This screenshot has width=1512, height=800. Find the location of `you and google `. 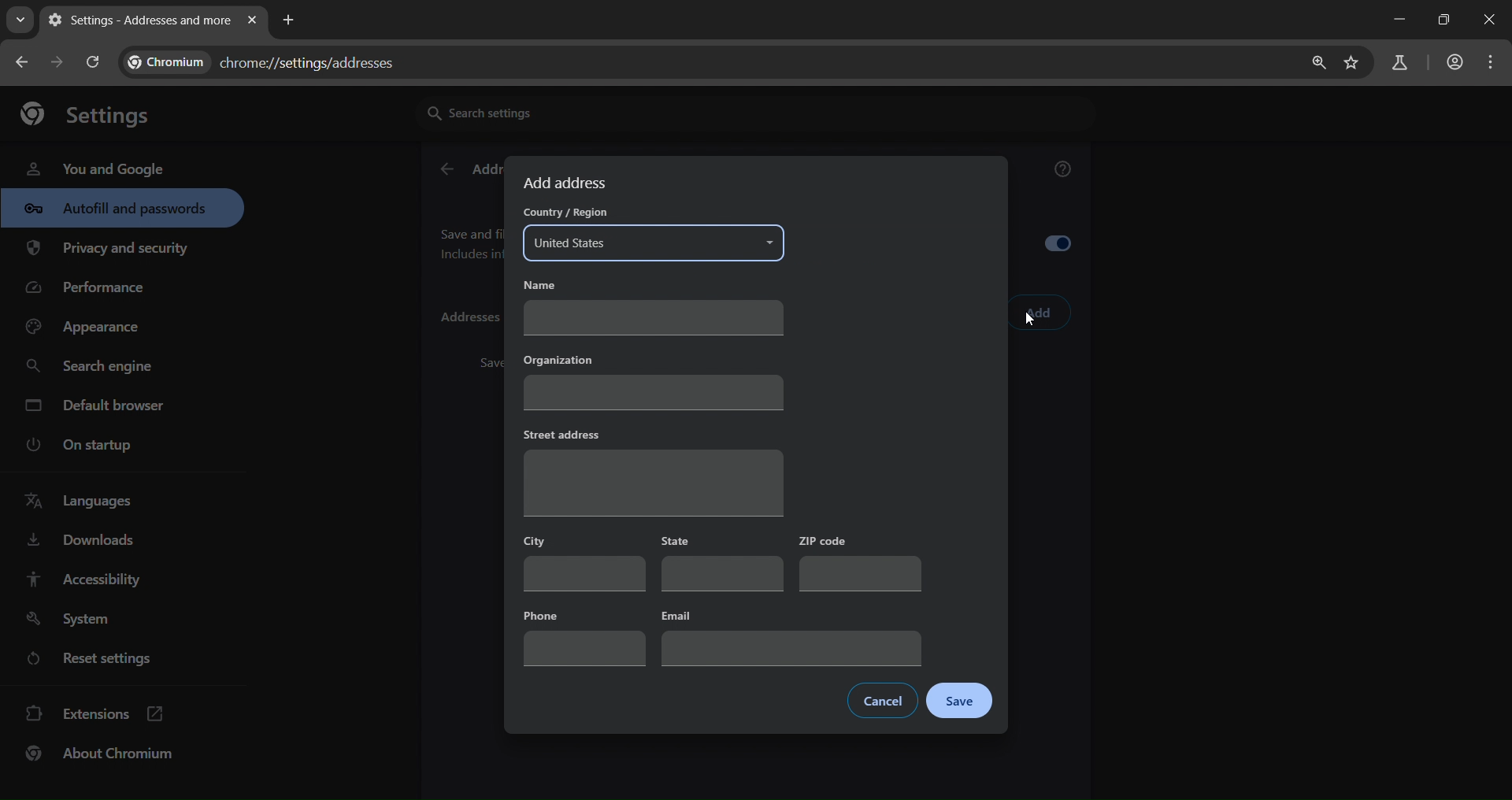

you and google  is located at coordinates (94, 167).